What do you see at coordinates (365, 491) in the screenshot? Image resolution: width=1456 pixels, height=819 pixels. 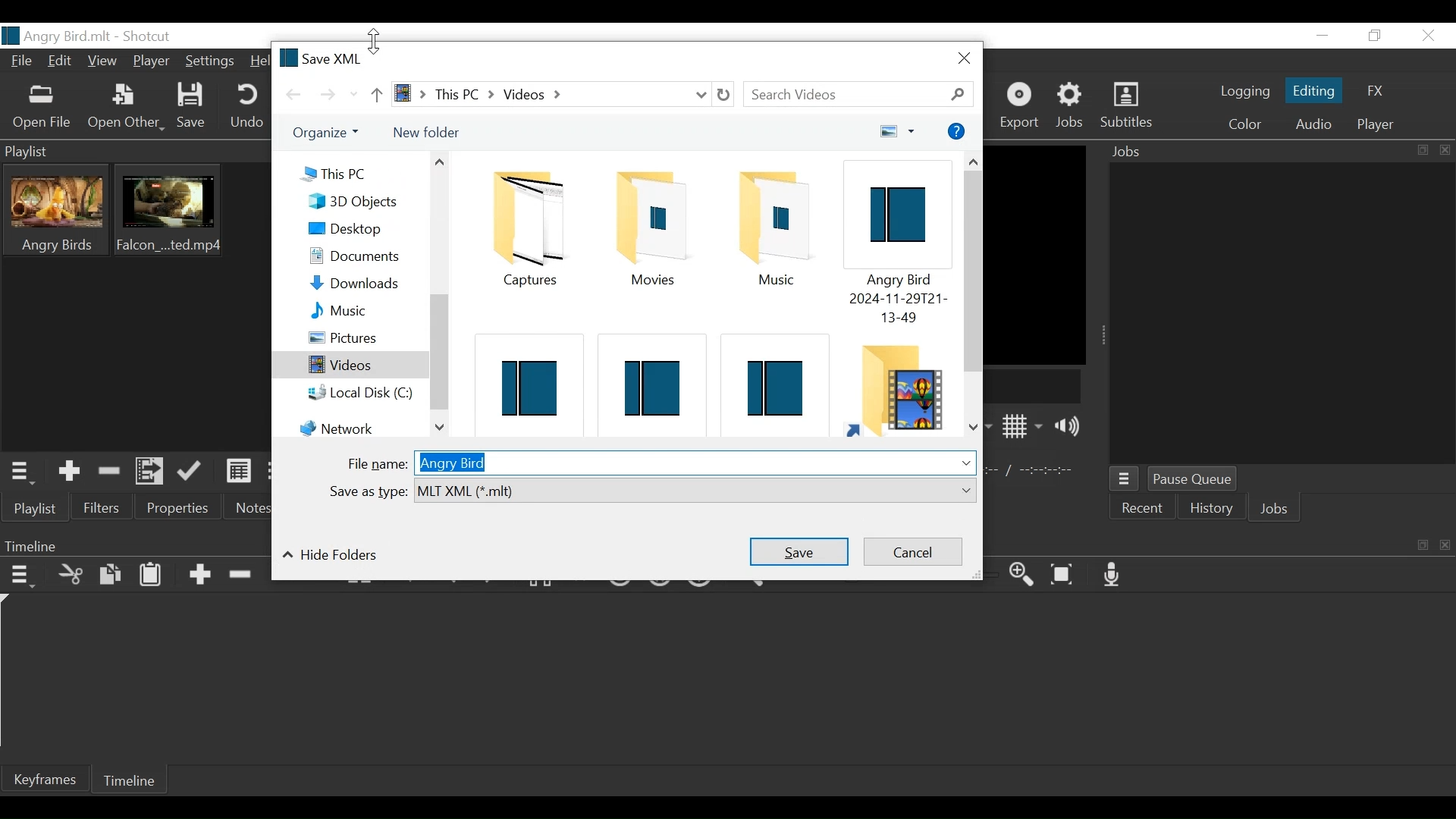 I see `Save as type` at bounding box center [365, 491].